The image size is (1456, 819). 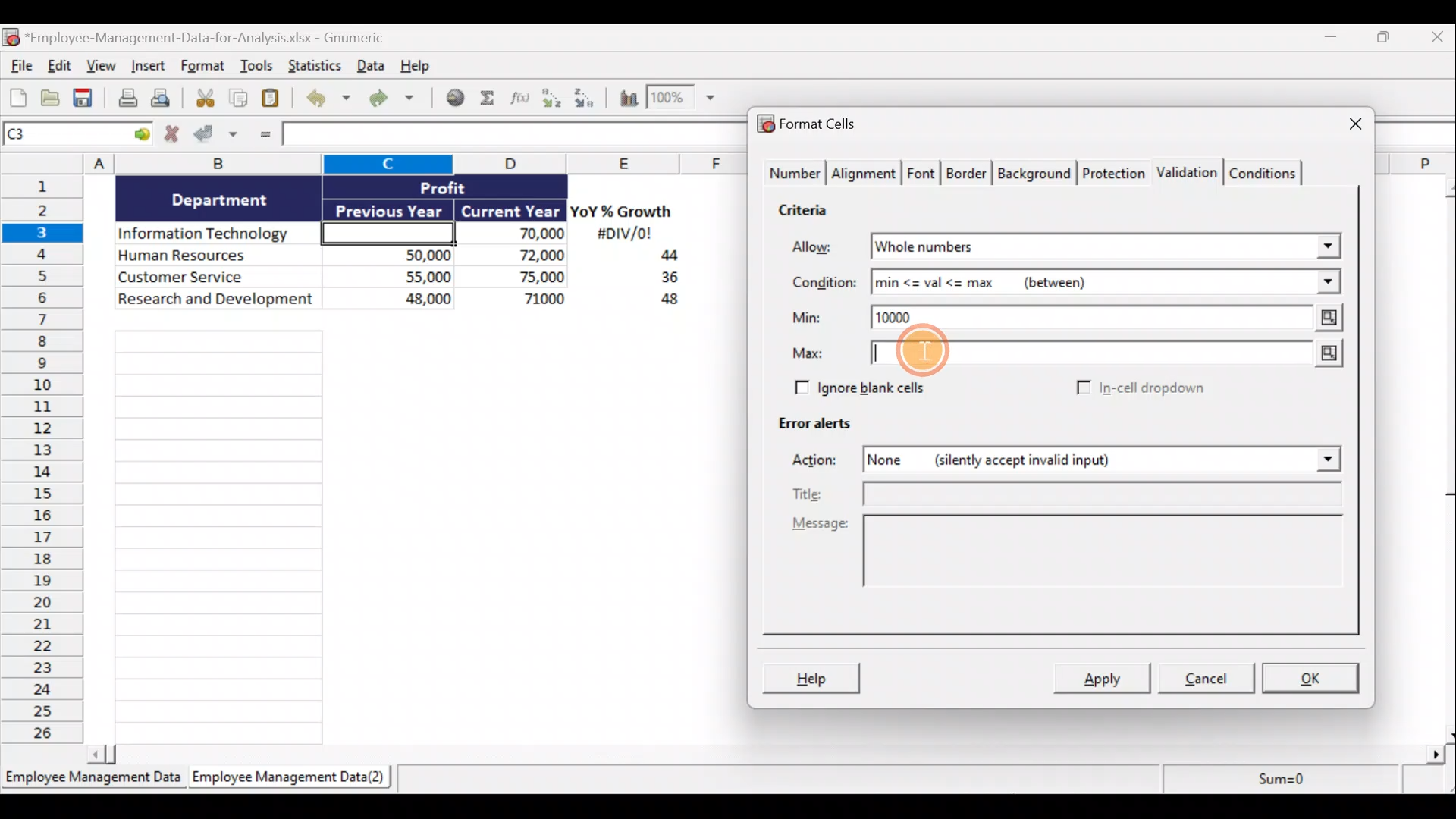 I want to click on Minimize, so click(x=1336, y=40).